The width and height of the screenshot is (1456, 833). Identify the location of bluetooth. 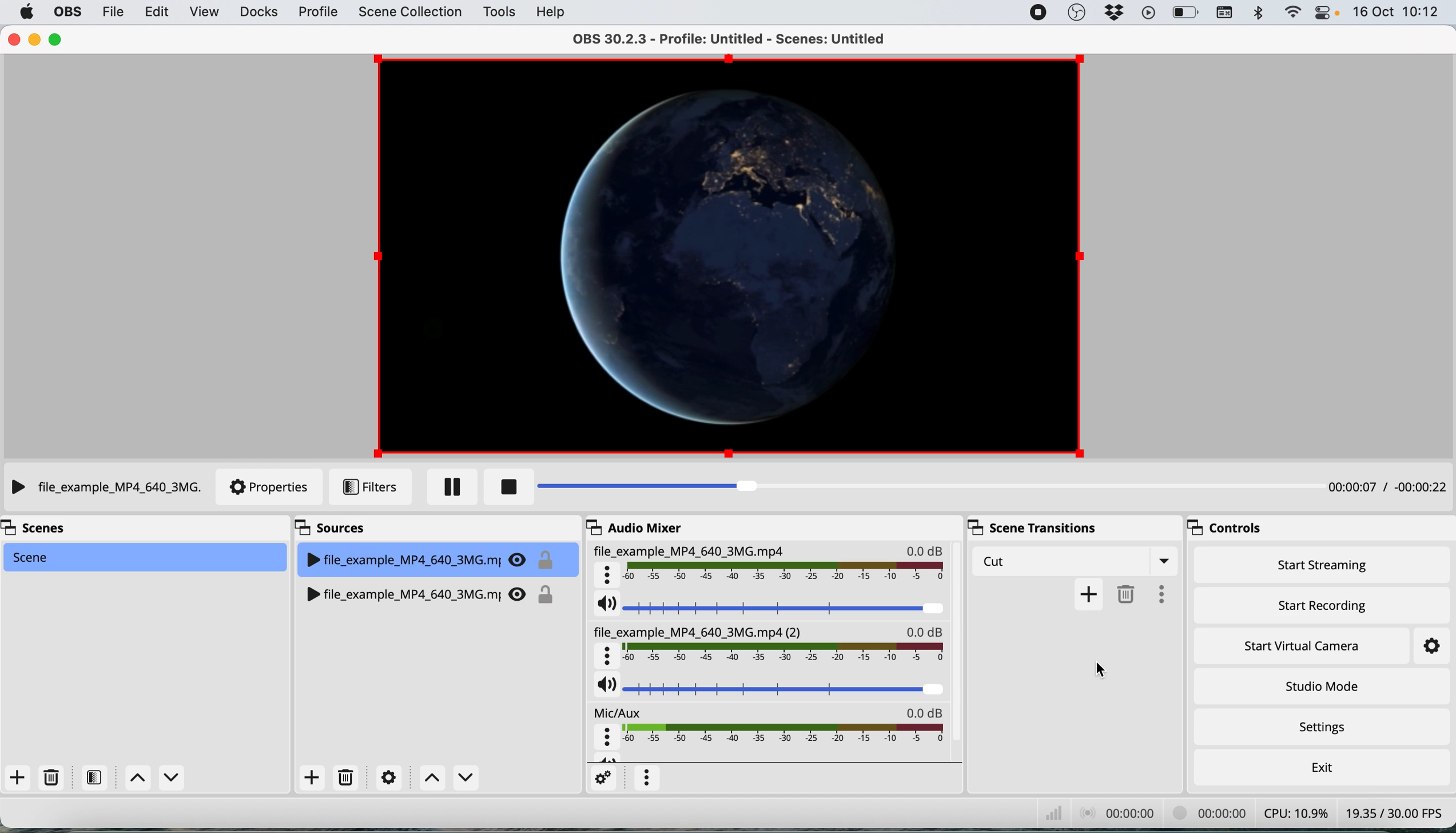
(1260, 13).